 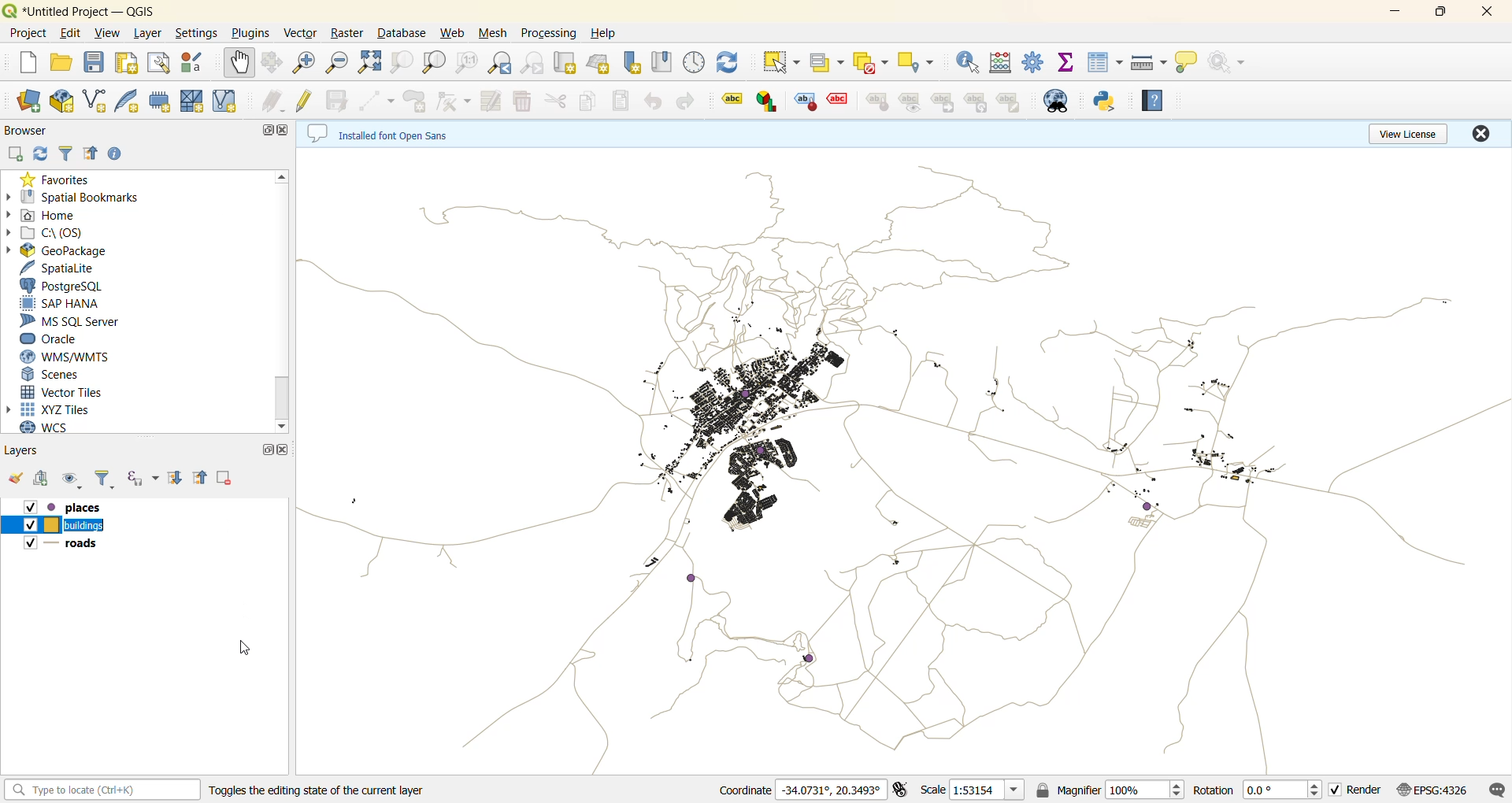 I want to click on undo, so click(x=653, y=102).